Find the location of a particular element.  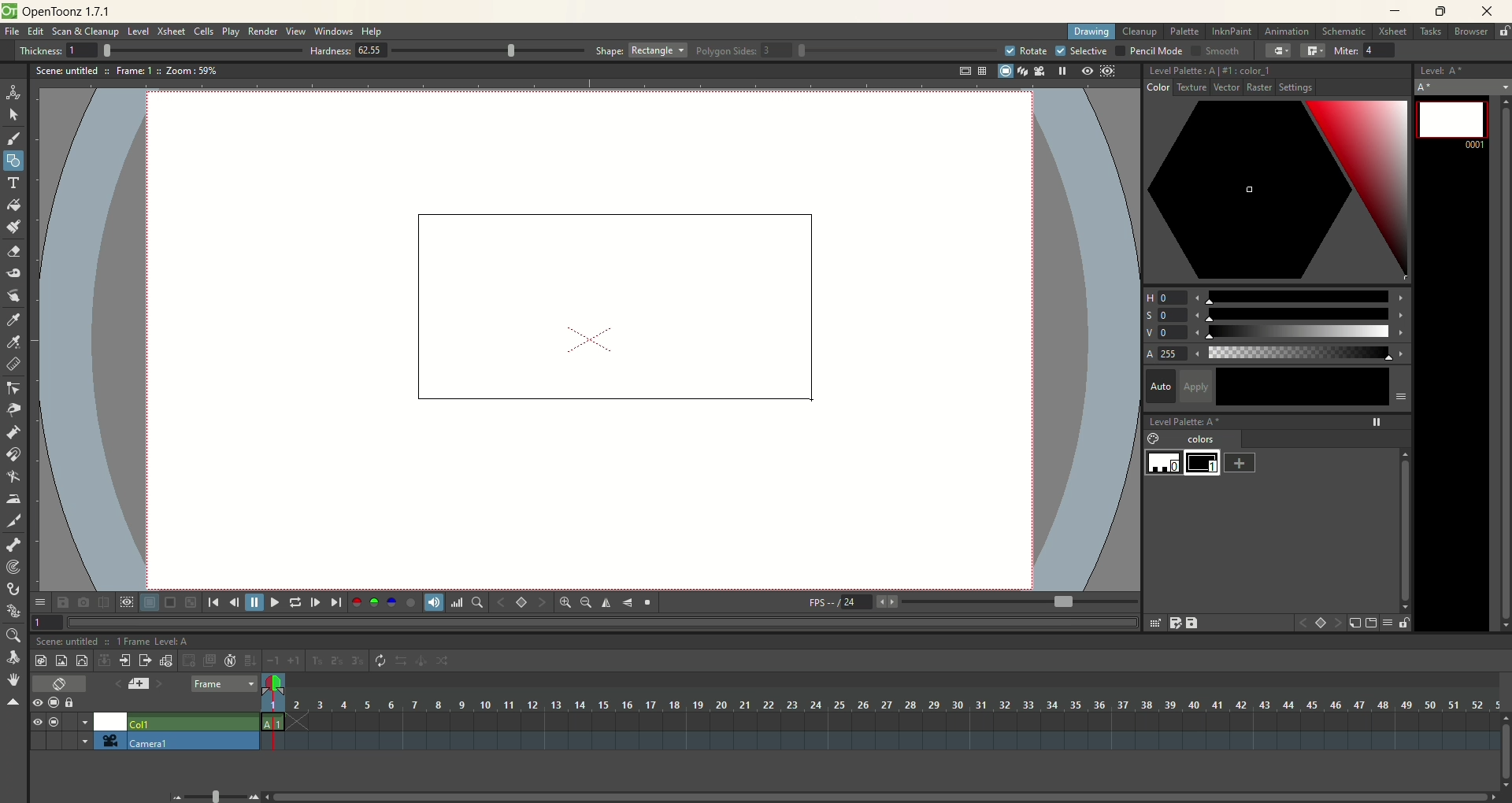

settings is located at coordinates (1216, 90).